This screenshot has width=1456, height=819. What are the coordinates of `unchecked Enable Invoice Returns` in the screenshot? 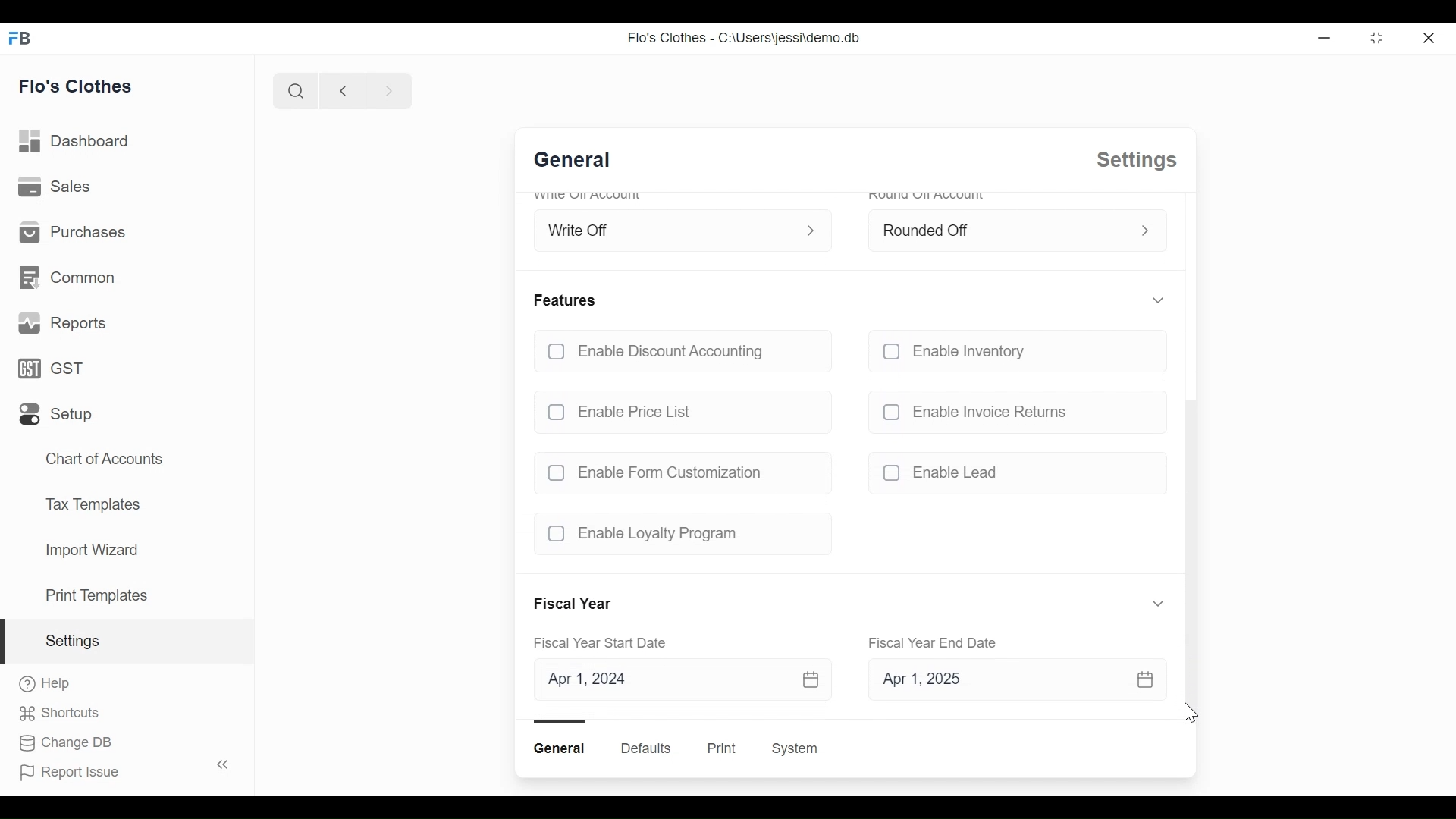 It's located at (1012, 411).